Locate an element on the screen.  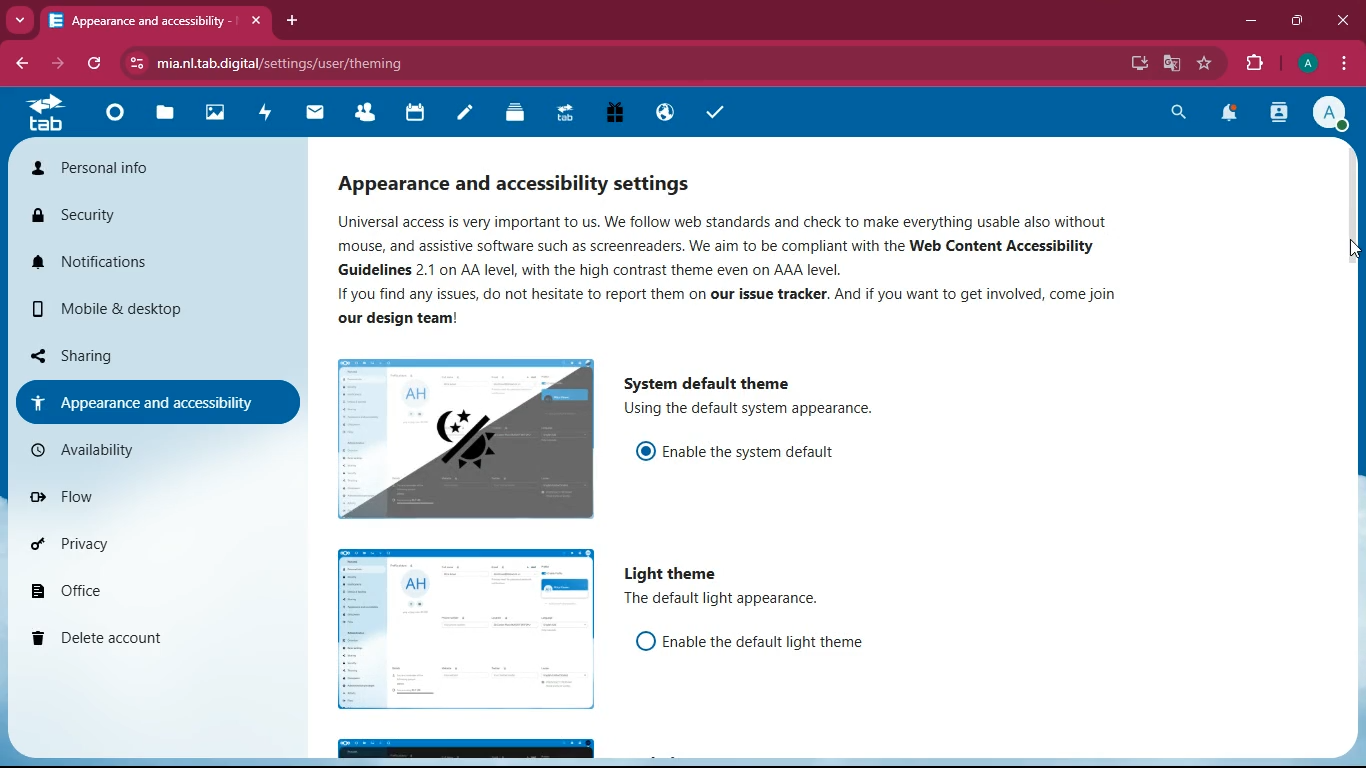
desktop is located at coordinates (1135, 63).